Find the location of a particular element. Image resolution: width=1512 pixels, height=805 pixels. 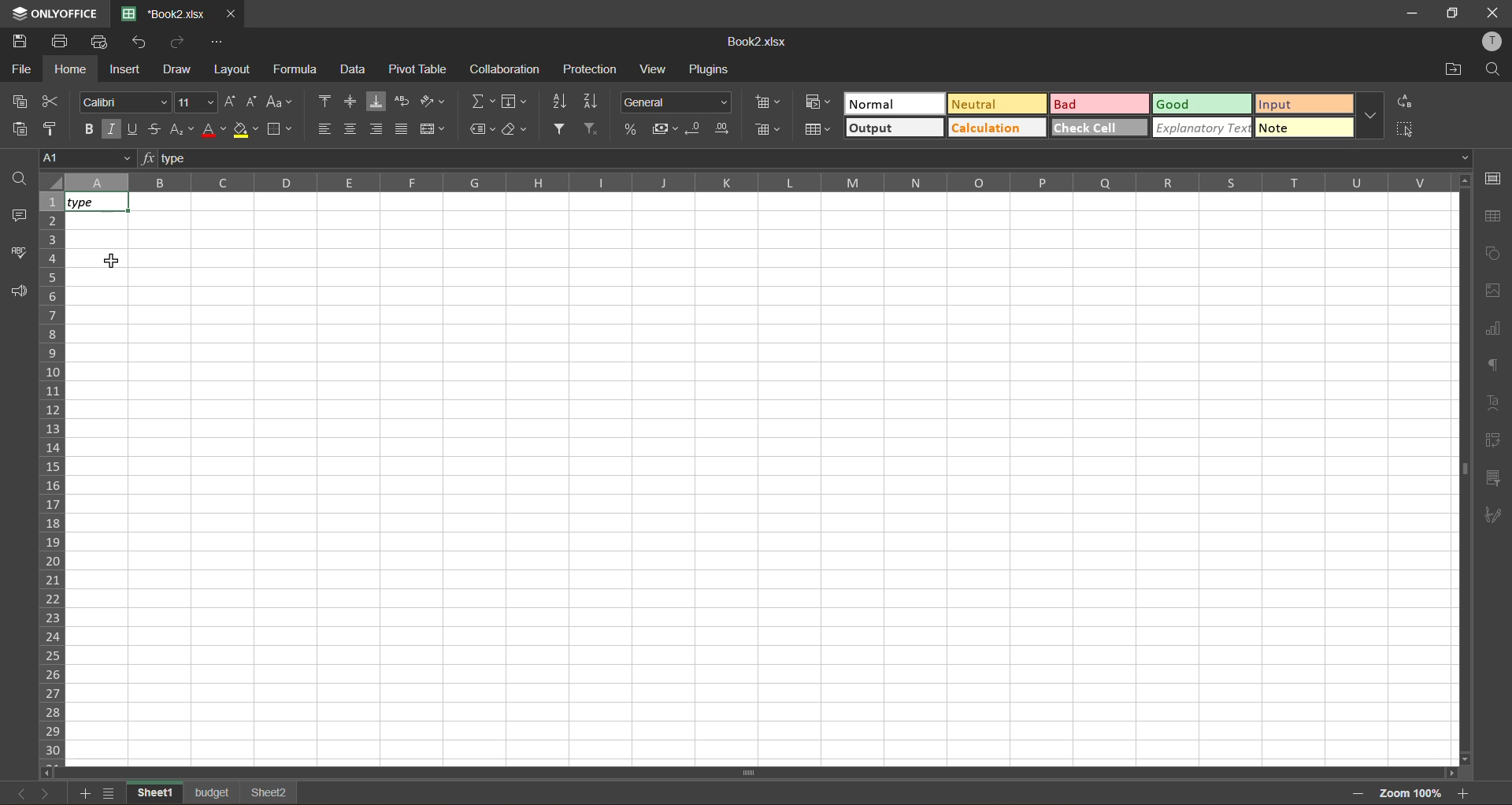

fields is located at coordinates (514, 104).